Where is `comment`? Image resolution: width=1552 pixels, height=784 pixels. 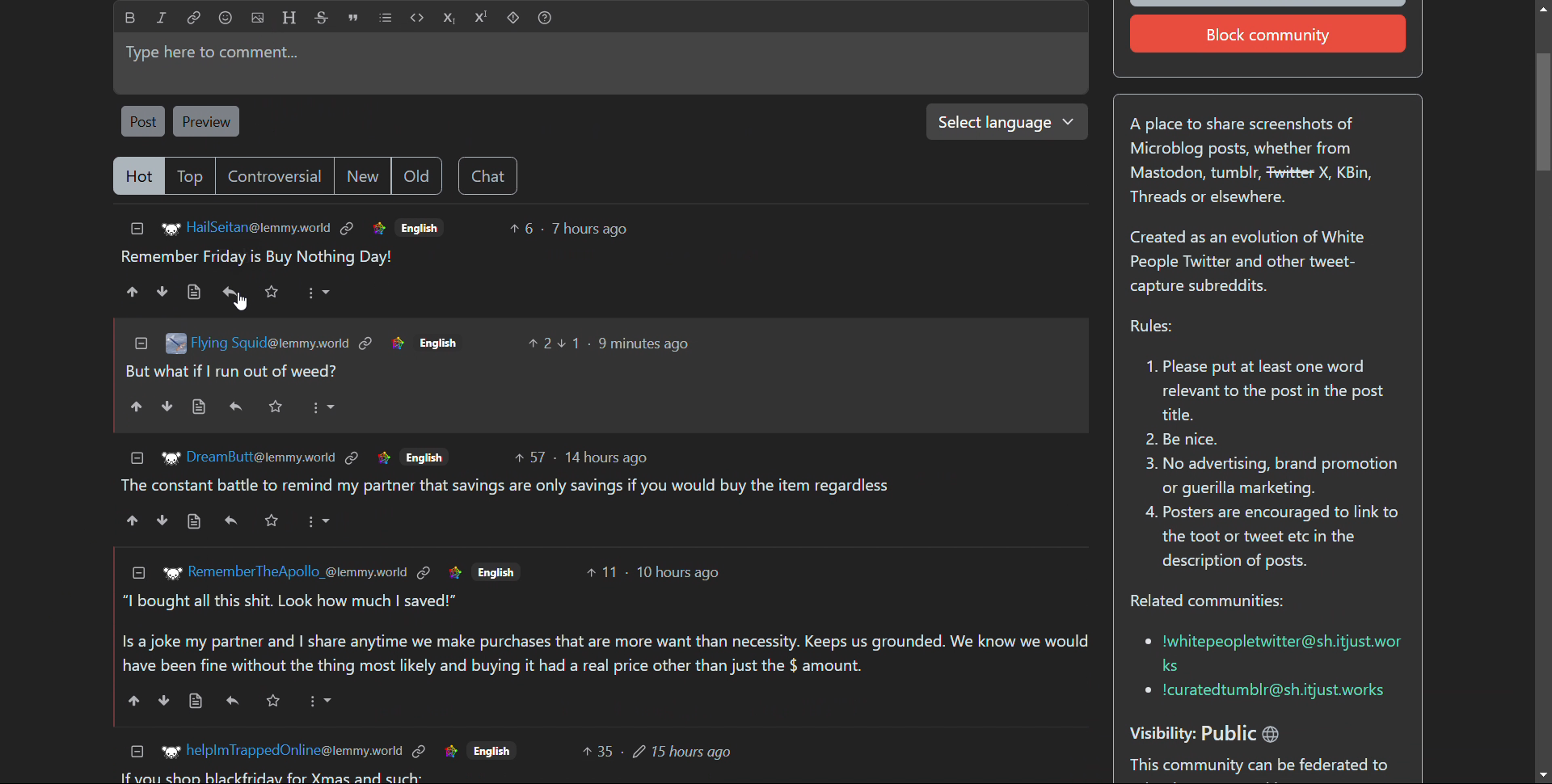 comment is located at coordinates (257, 258).